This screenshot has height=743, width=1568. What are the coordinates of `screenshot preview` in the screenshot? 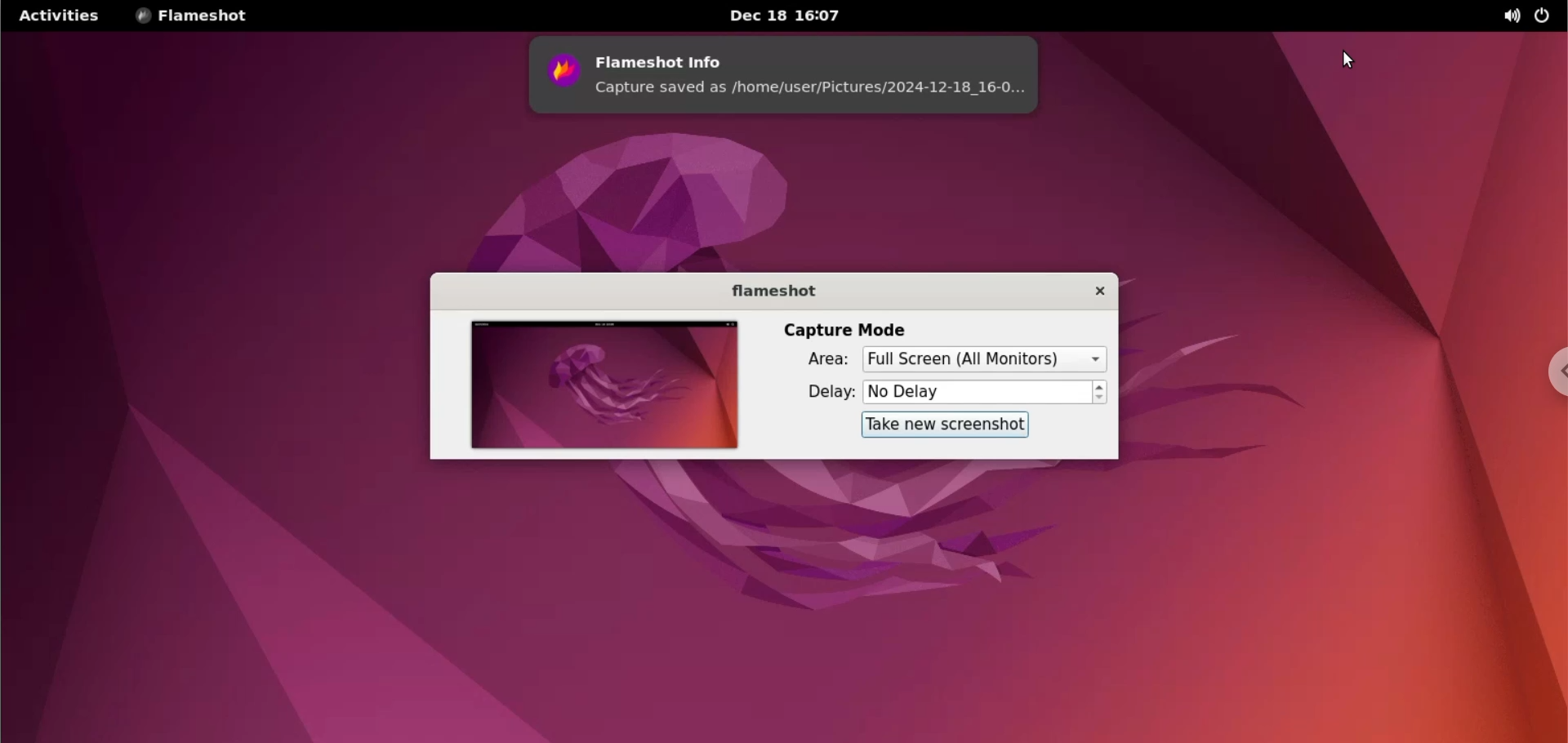 It's located at (604, 385).